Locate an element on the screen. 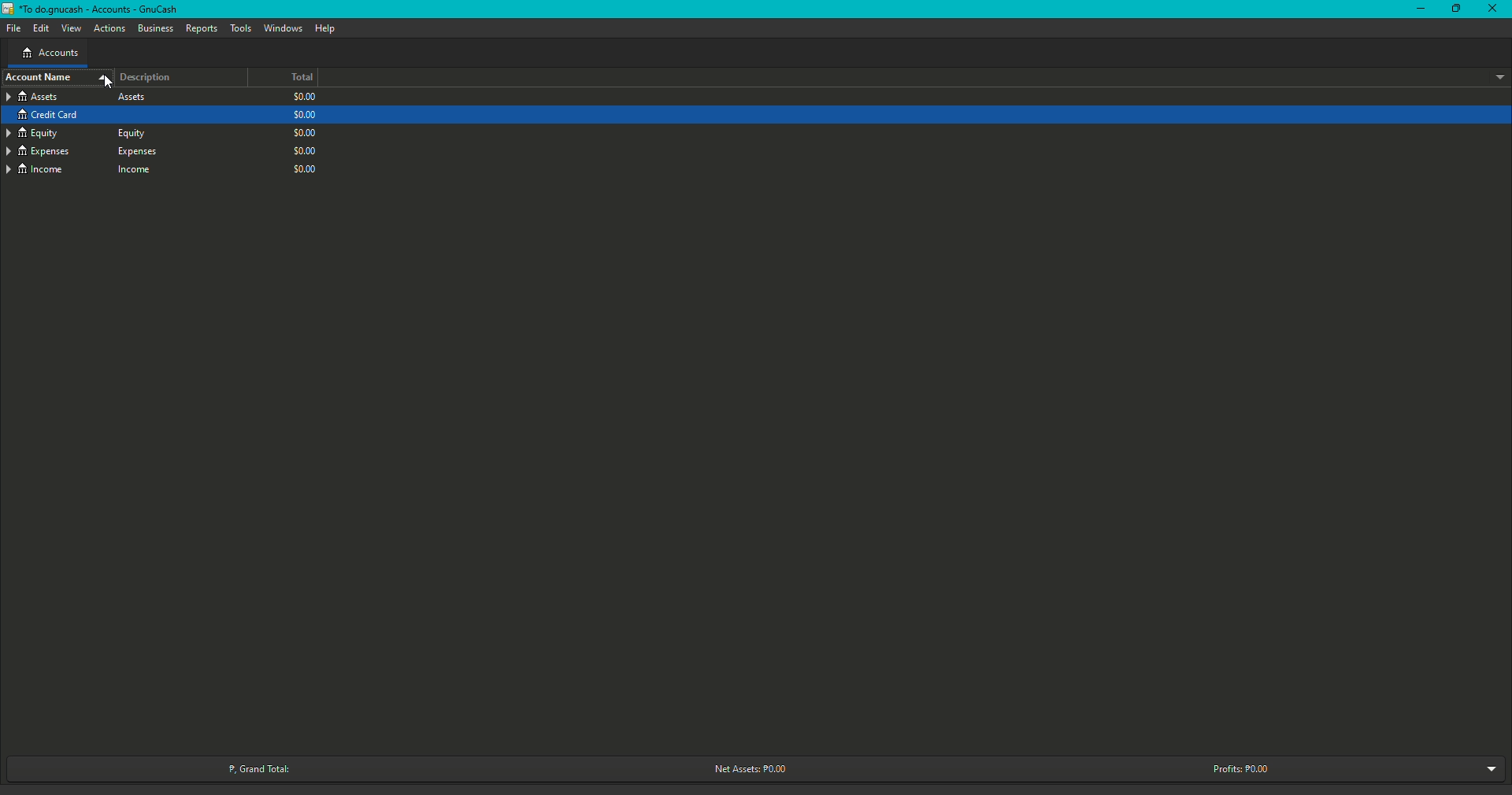  Credit Card is located at coordinates (51, 116).